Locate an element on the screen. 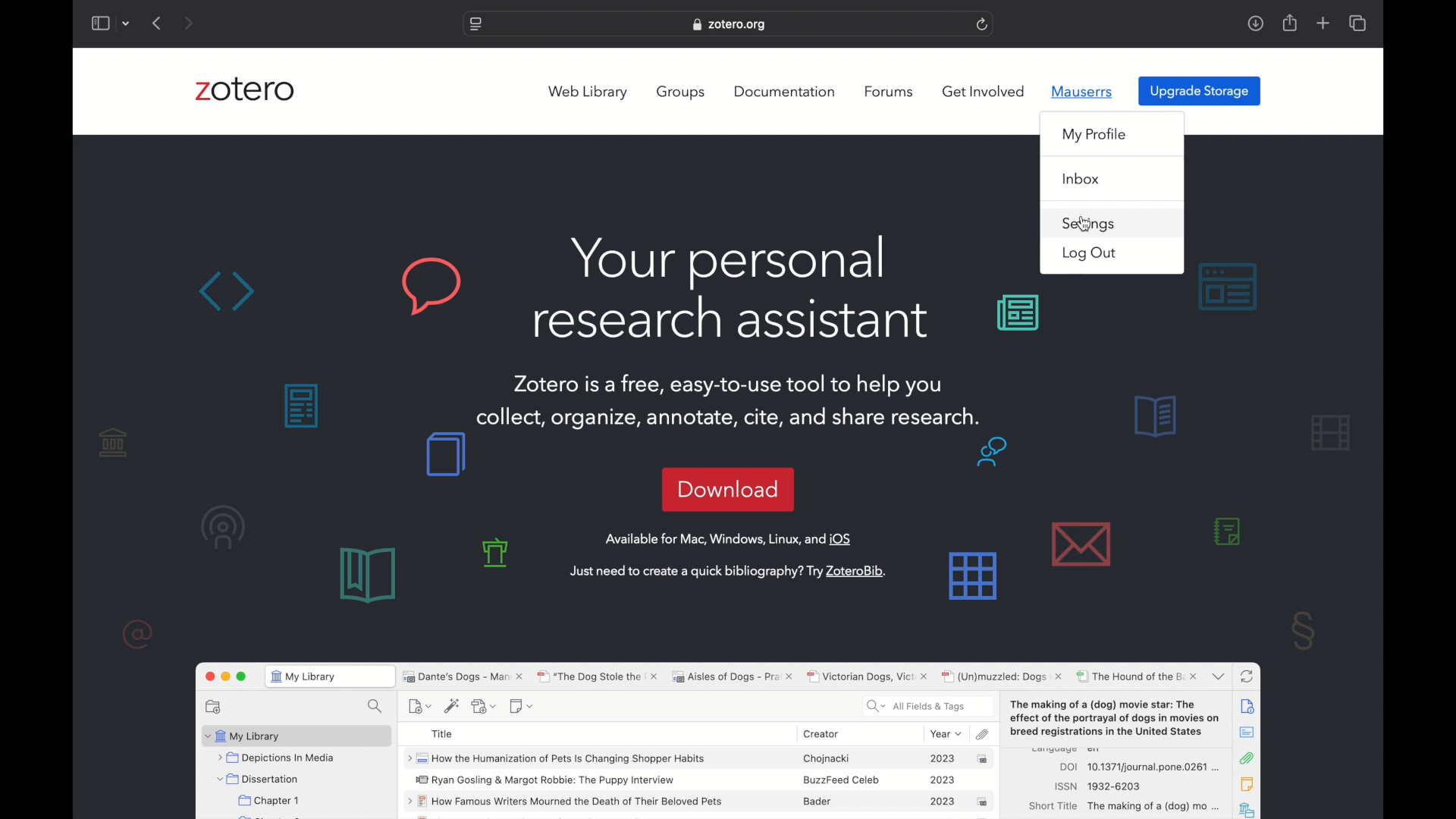 The image size is (1456, 819). available for mac windows linux and OS is located at coordinates (730, 539).